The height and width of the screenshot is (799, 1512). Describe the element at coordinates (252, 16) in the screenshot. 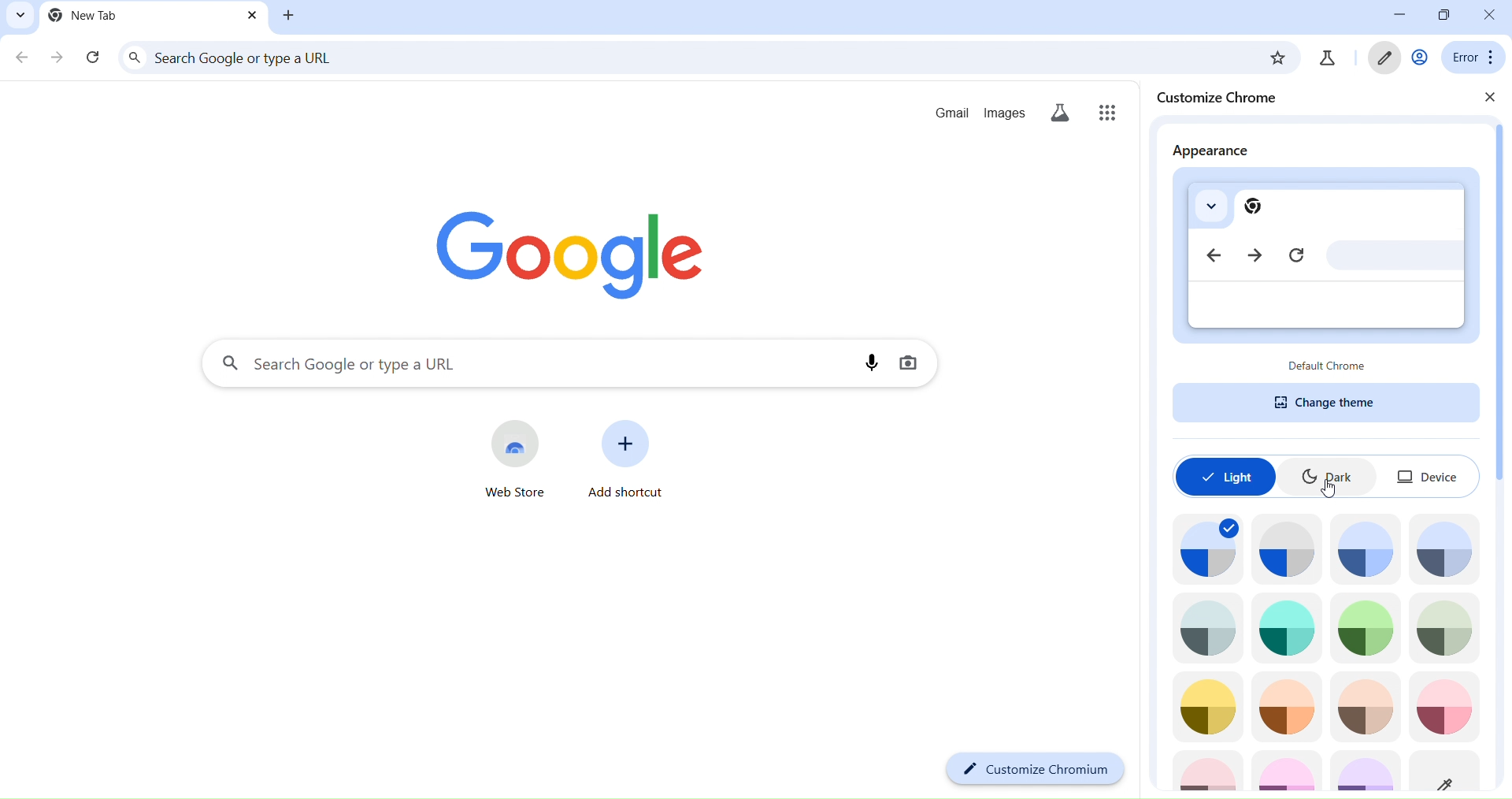

I see `close tab` at that location.